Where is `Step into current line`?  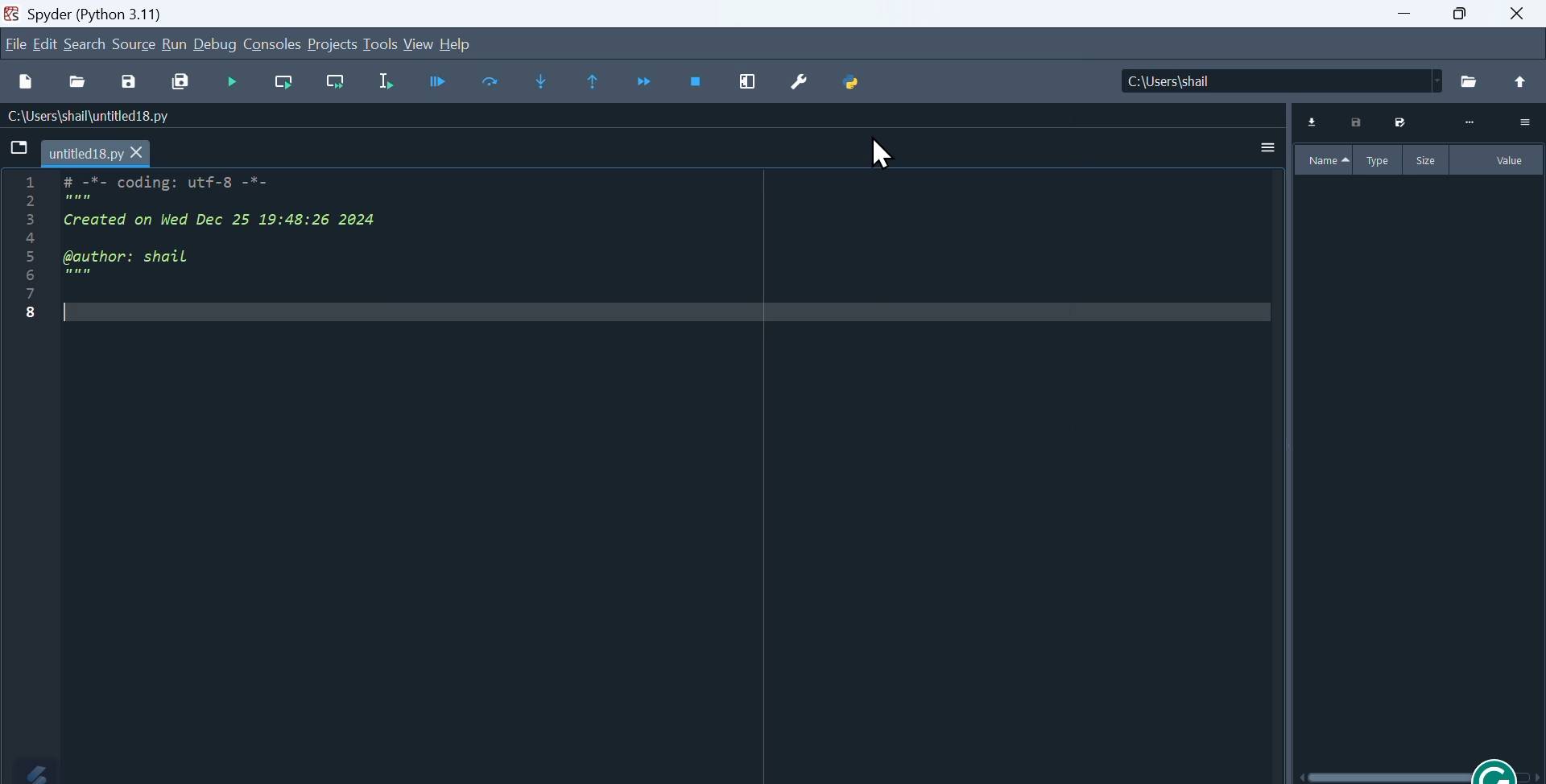 Step into current line is located at coordinates (488, 83).